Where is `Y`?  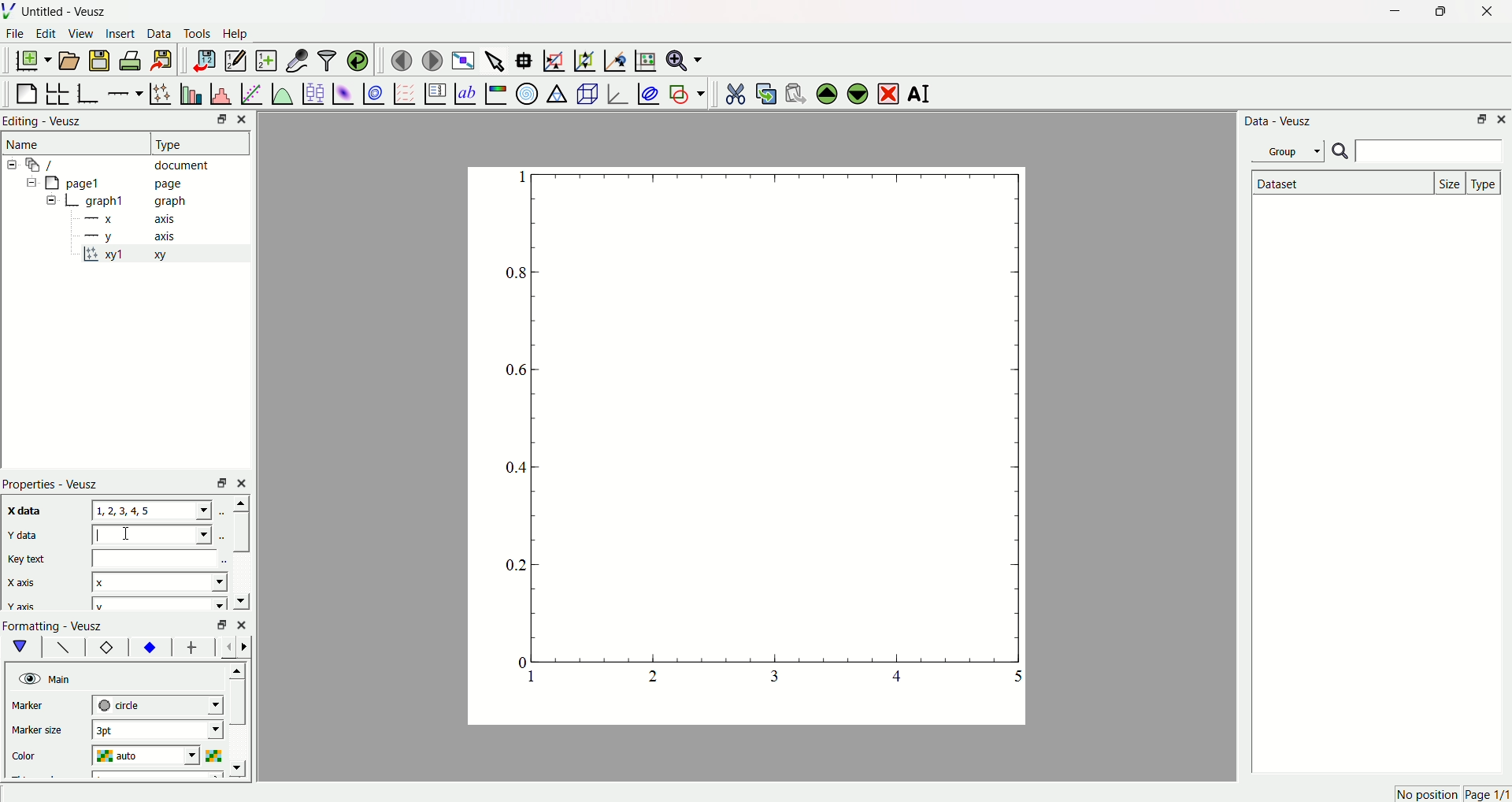
Y is located at coordinates (150, 534).